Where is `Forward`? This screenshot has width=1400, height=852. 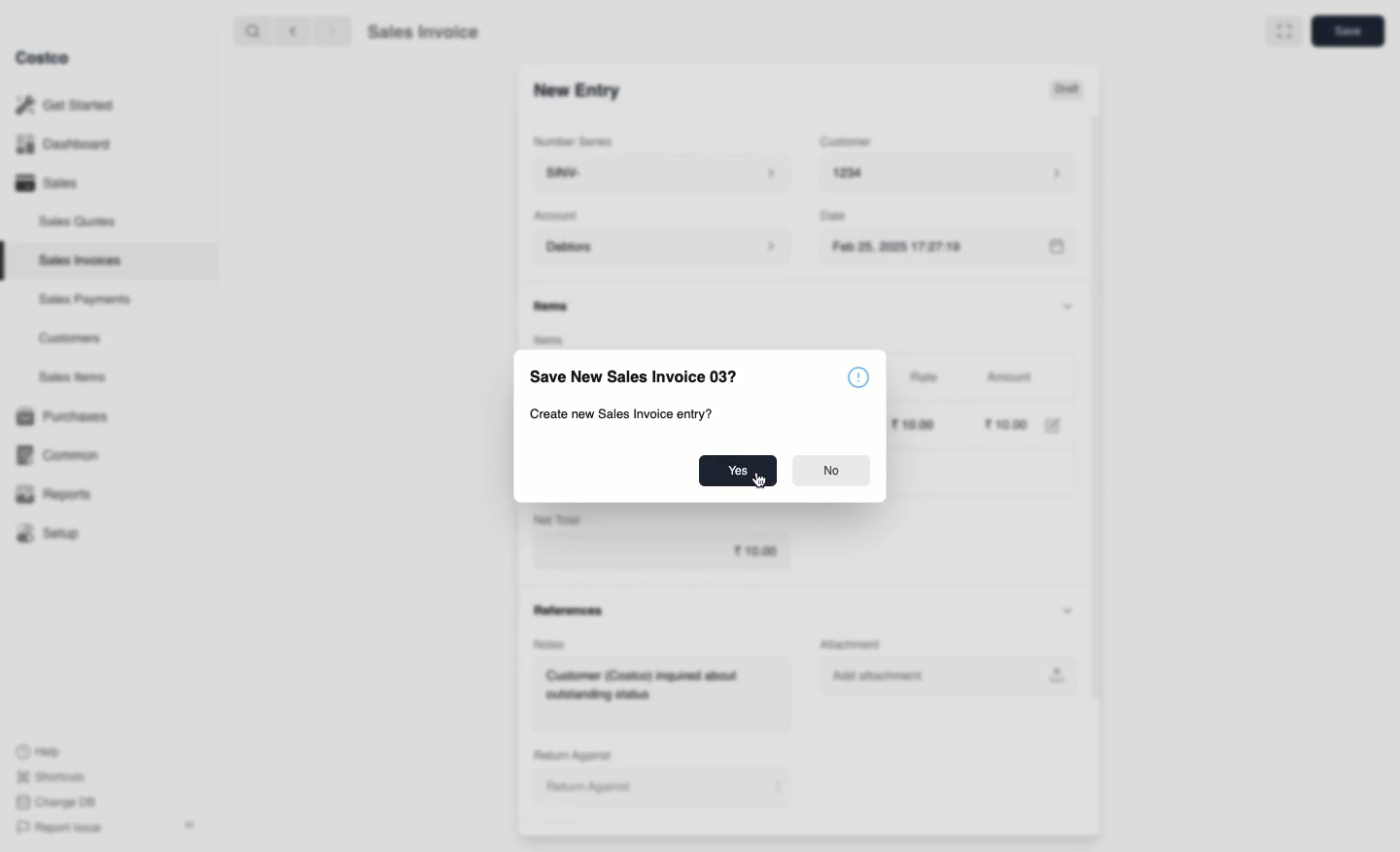 Forward is located at coordinates (332, 32).